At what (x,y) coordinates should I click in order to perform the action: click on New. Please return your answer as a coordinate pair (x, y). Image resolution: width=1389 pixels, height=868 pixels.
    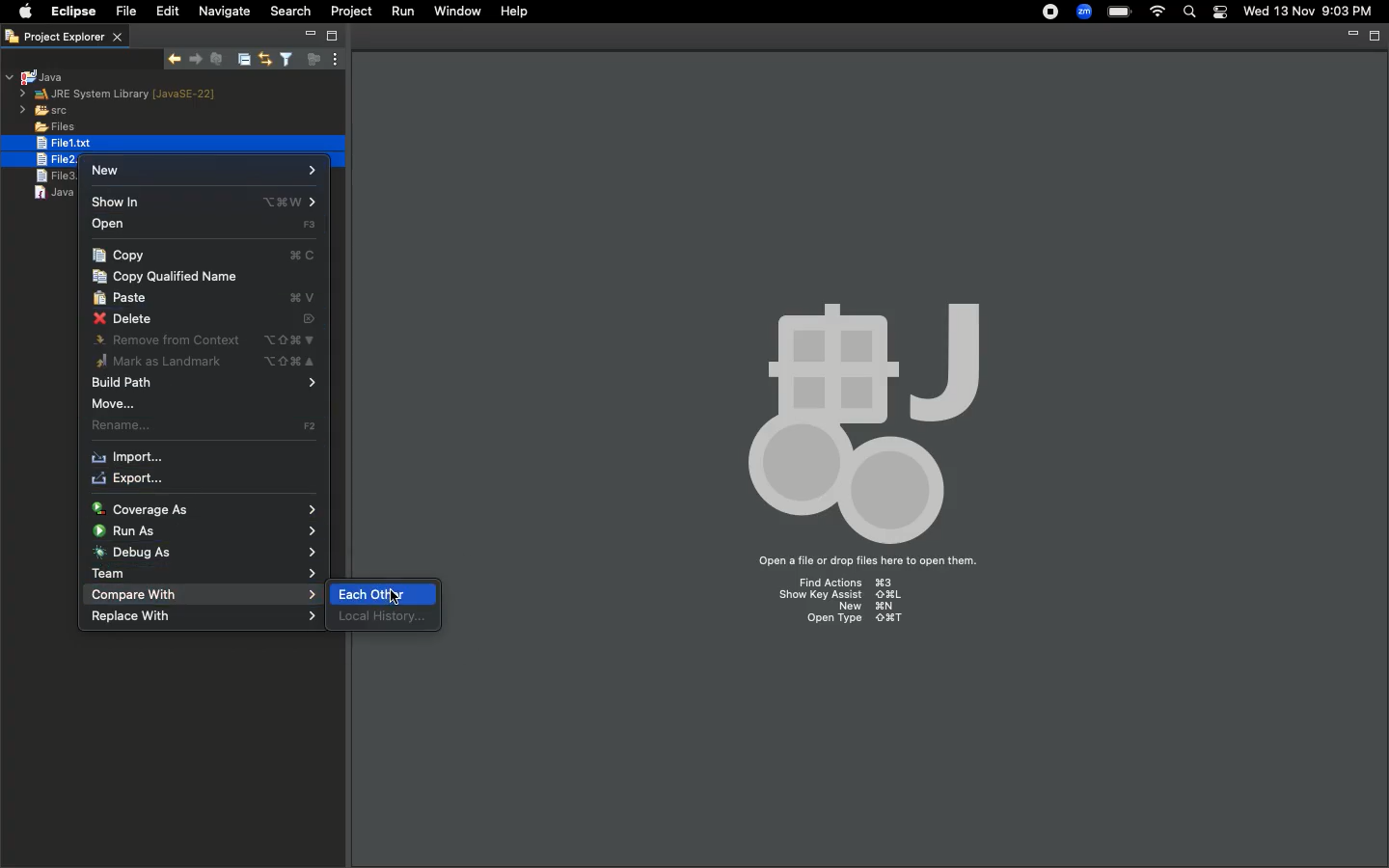
    Looking at the image, I should click on (866, 607).